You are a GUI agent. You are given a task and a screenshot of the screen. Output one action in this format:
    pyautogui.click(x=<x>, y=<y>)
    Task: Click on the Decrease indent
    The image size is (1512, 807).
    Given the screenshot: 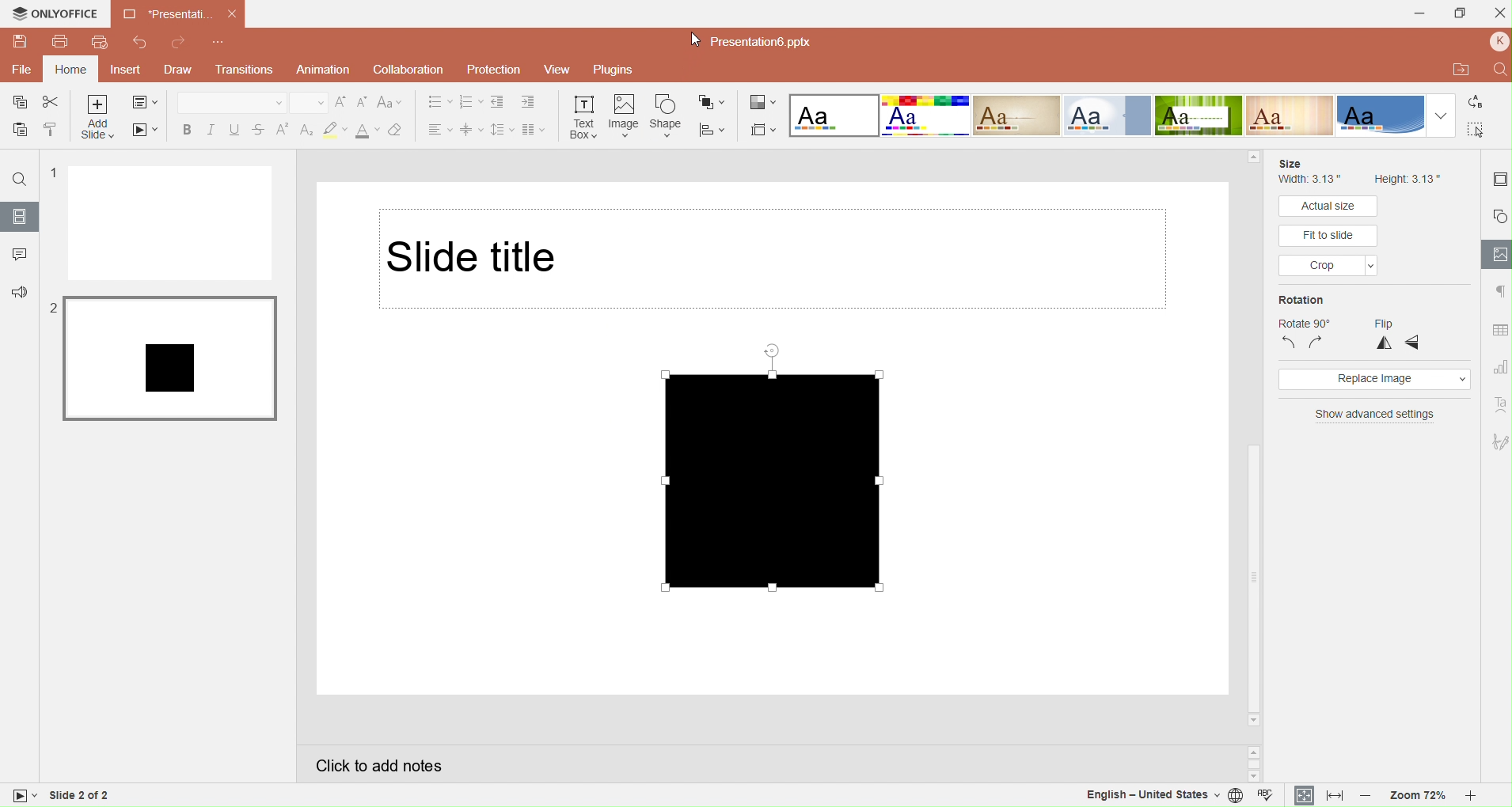 What is the action you would take?
    pyautogui.click(x=500, y=101)
    